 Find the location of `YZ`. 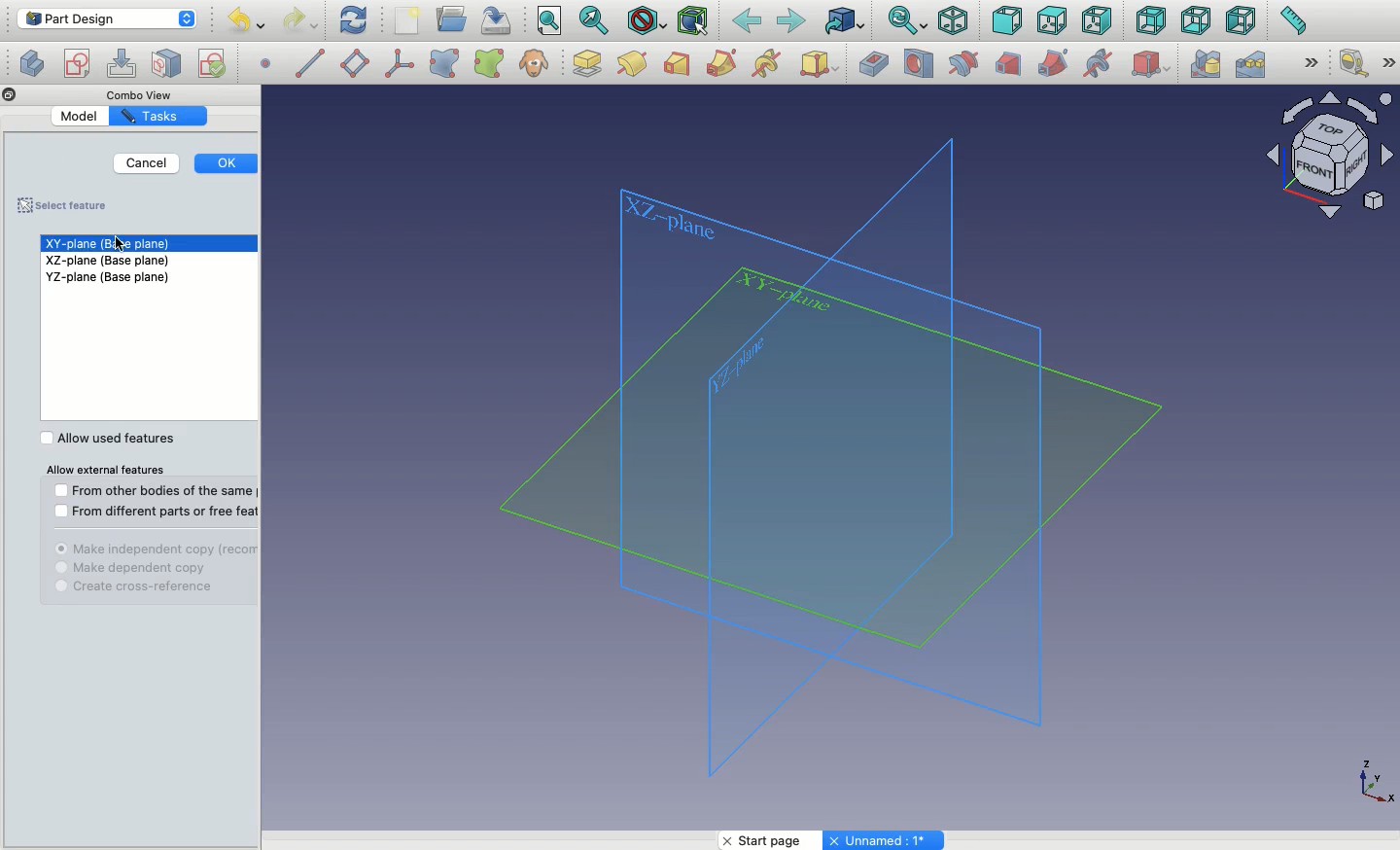

YZ is located at coordinates (109, 278).